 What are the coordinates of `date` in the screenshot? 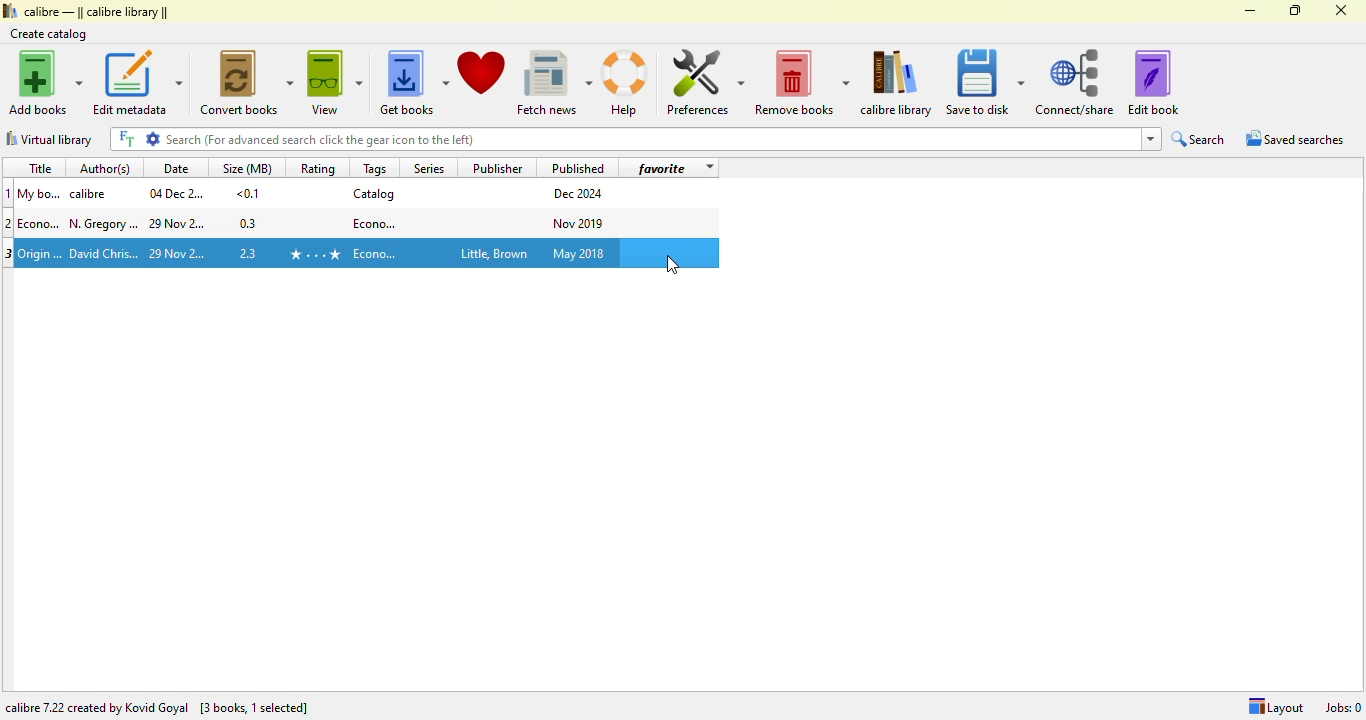 It's located at (176, 168).